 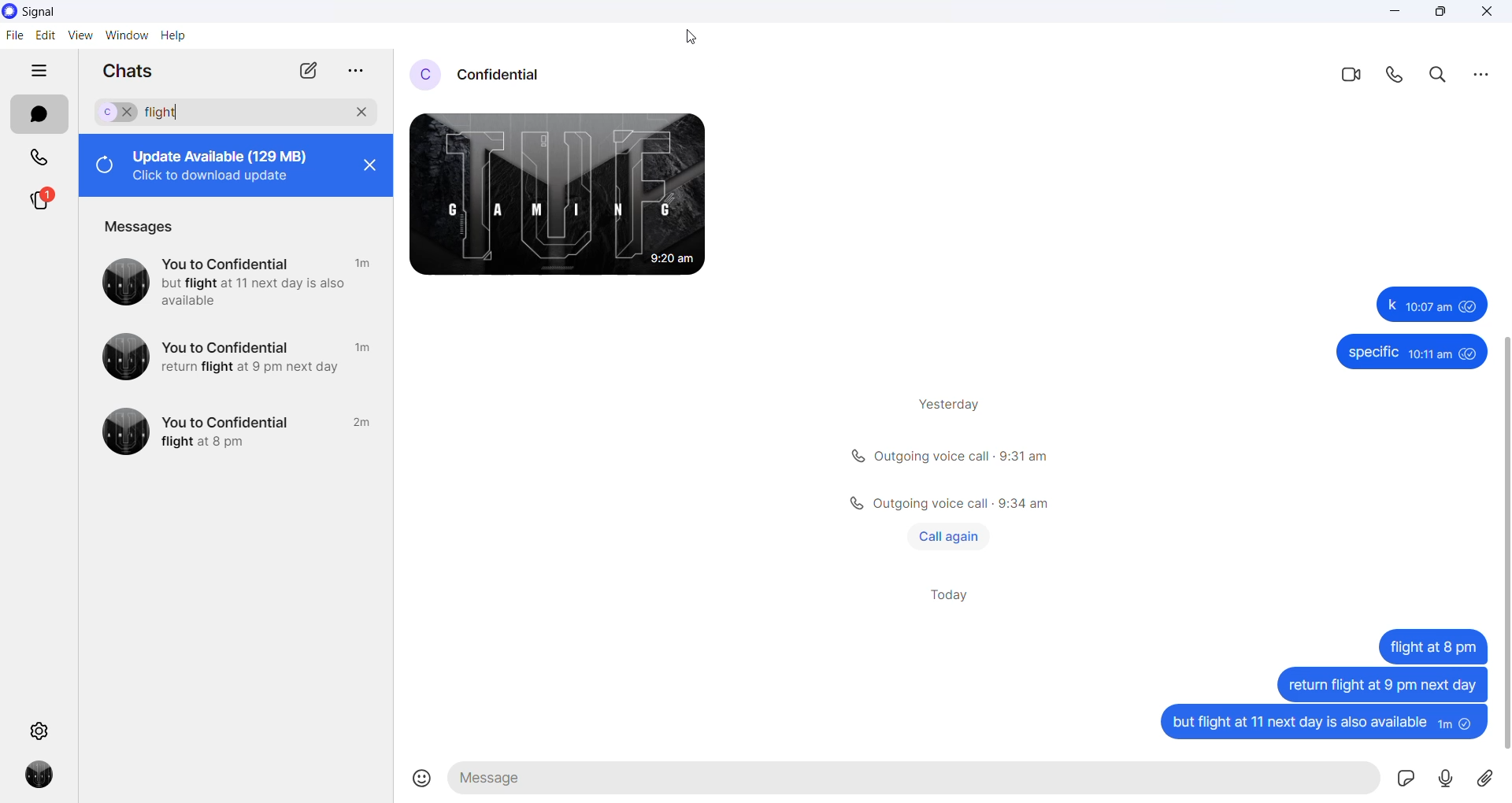 I want to click on edit, so click(x=43, y=37).